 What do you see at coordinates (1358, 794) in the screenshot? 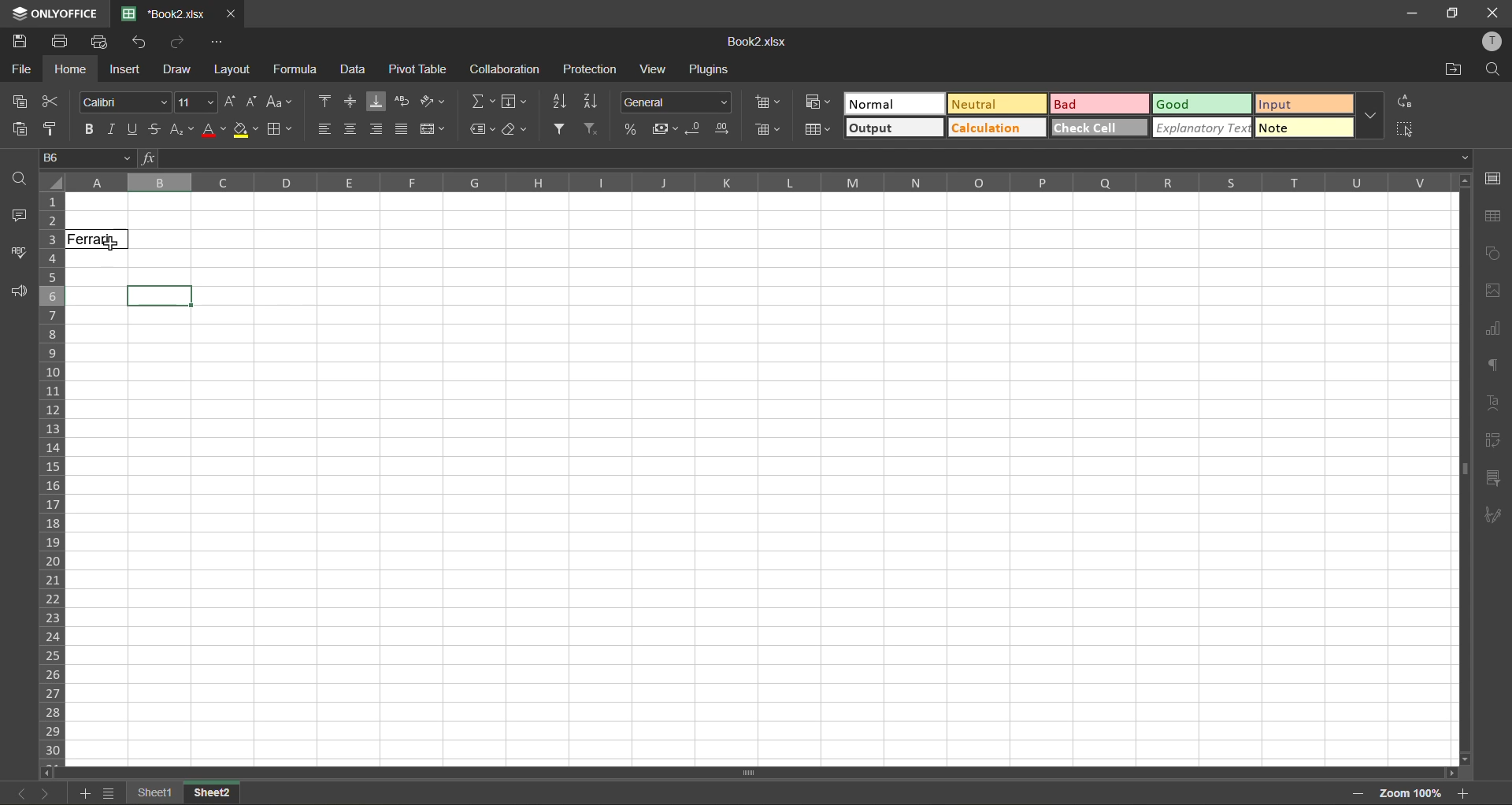
I see `zoom out` at bounding box center [1358, 794].